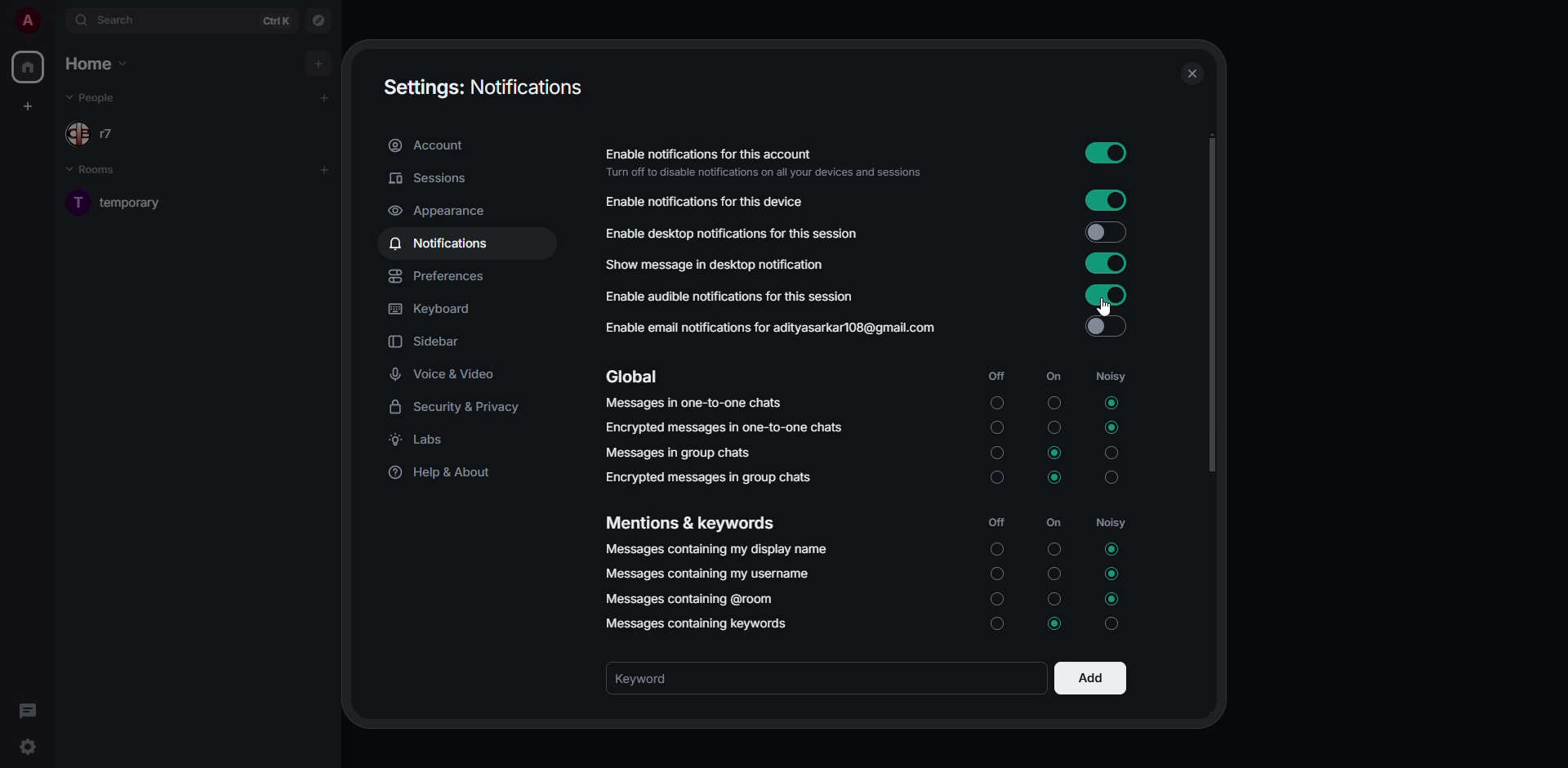 The width and height of the screenshot is (1568, 768). Describe the element at coordinates (430, 179) in the screenshot. I see `sessions` at that location.